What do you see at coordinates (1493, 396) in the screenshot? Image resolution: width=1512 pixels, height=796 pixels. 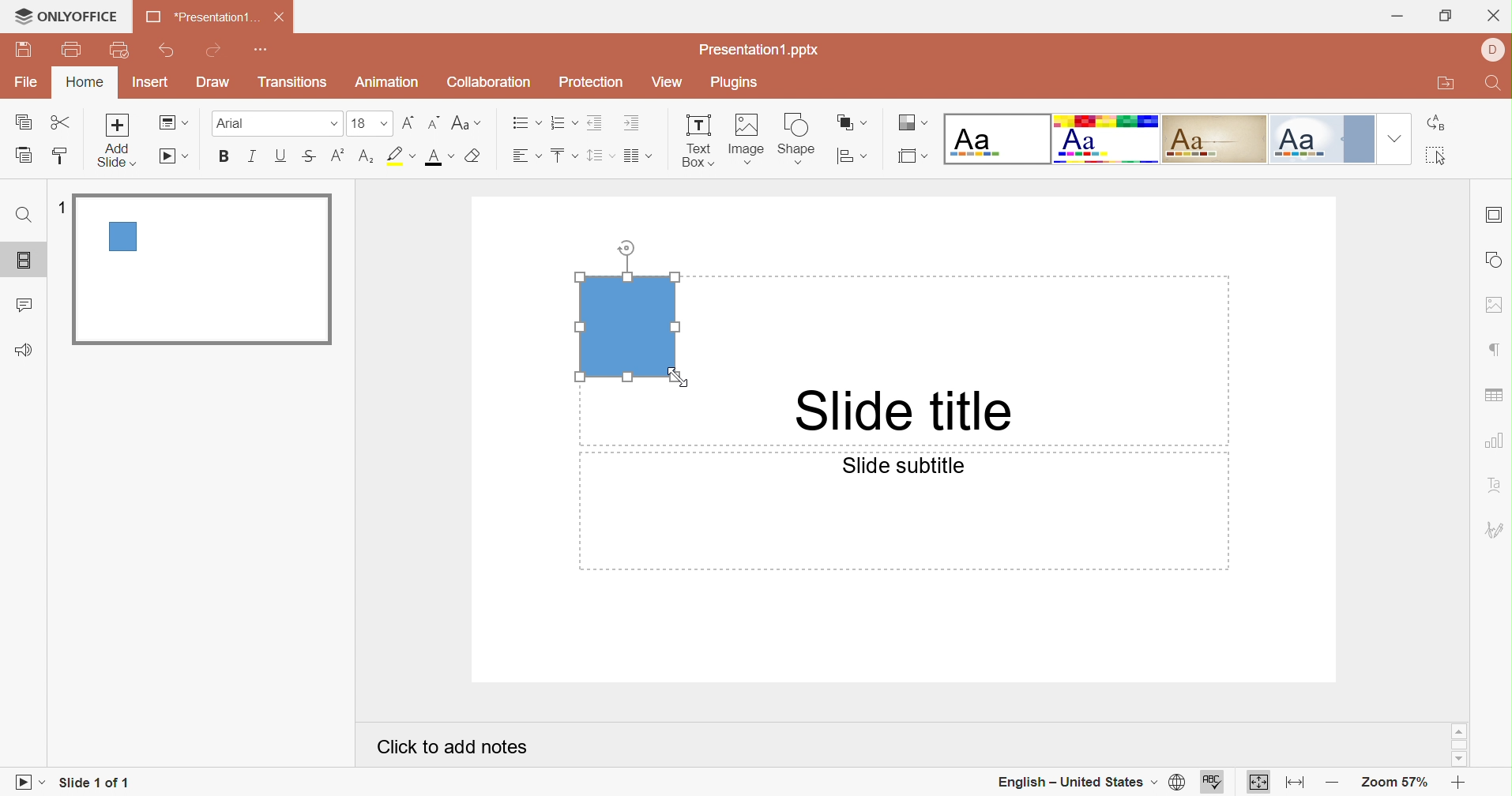 I see `Table settings` at bounding box center [1493, 396].